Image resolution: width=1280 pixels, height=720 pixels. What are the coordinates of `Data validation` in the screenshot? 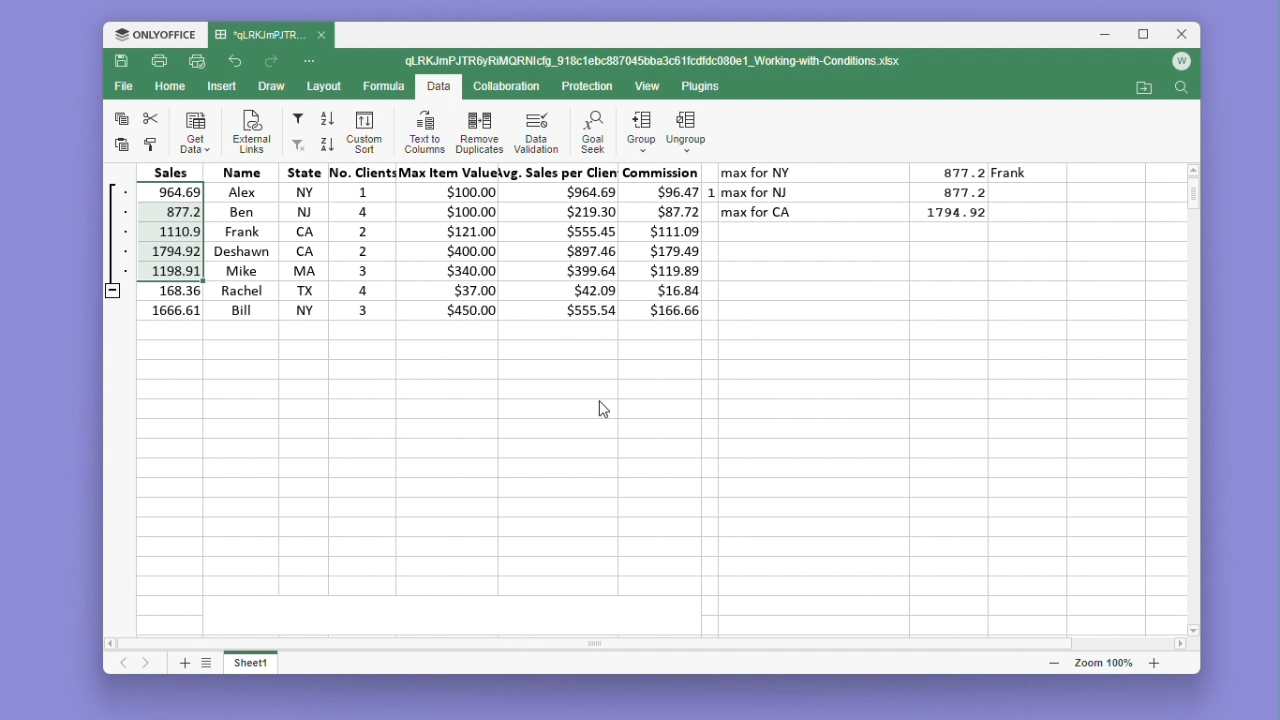 It's located at (536, 132).